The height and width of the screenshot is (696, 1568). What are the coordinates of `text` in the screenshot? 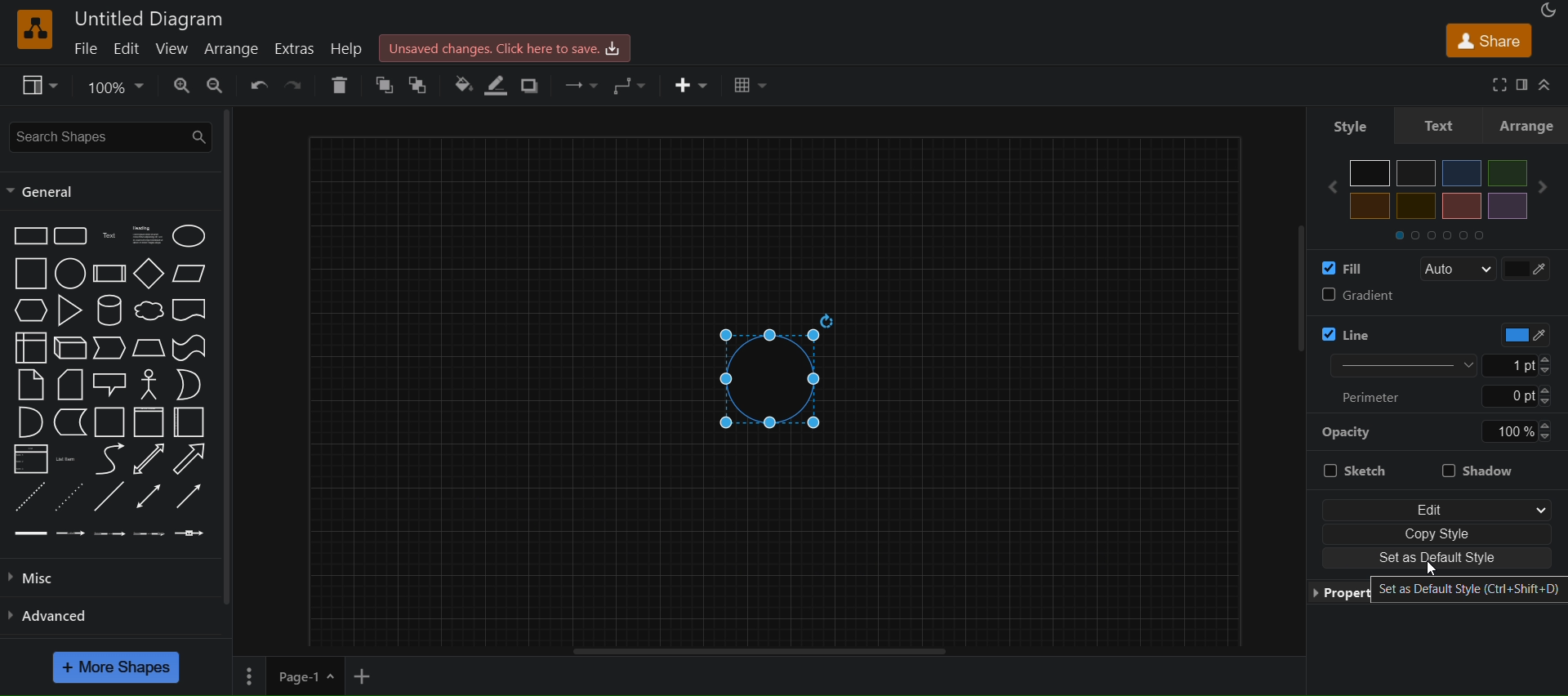 It's located at (1441, 124).